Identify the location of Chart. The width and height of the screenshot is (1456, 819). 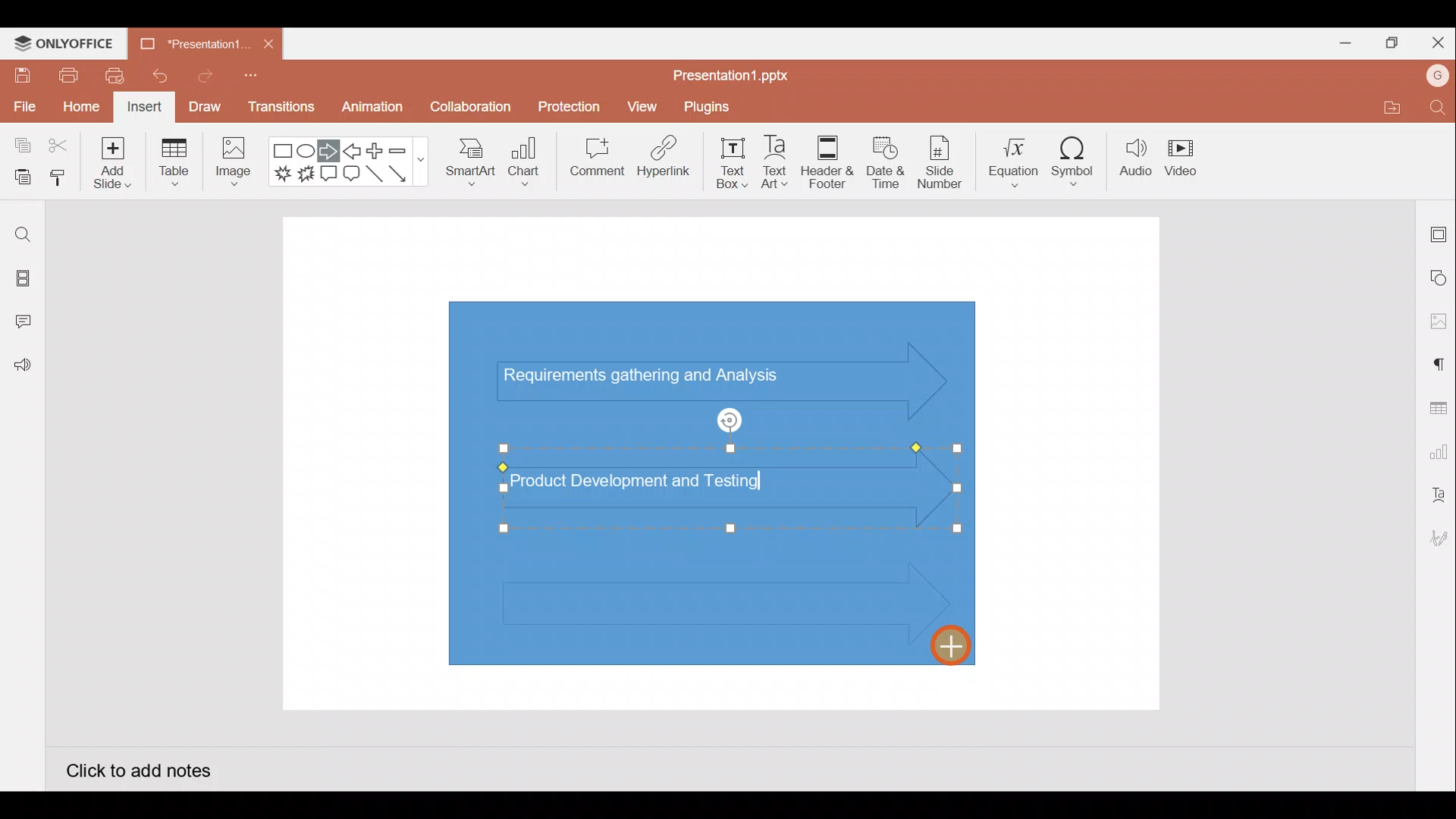
(525, 160).